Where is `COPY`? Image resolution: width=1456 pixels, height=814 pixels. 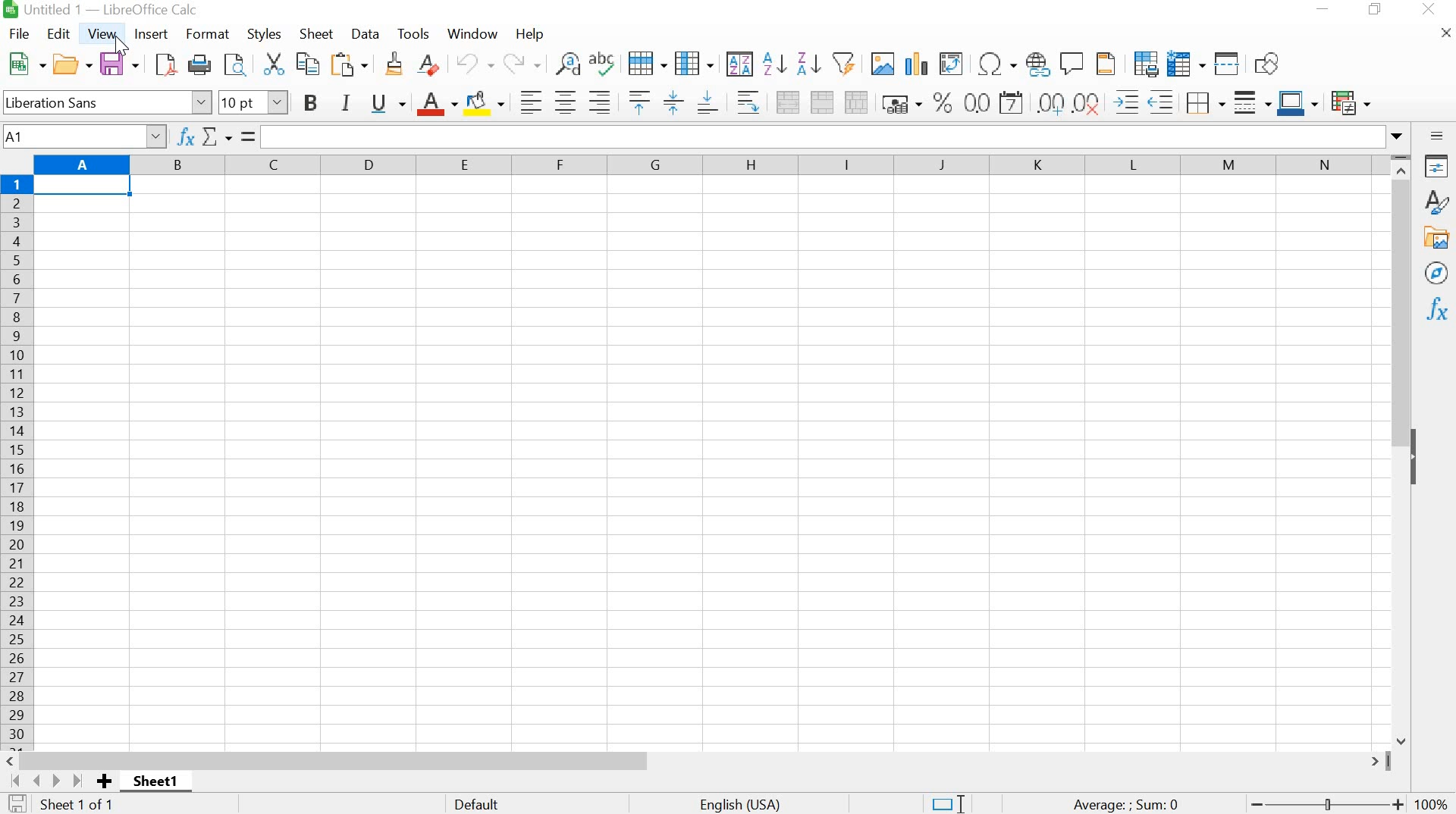
COPY is located at coordinates (308, 66).